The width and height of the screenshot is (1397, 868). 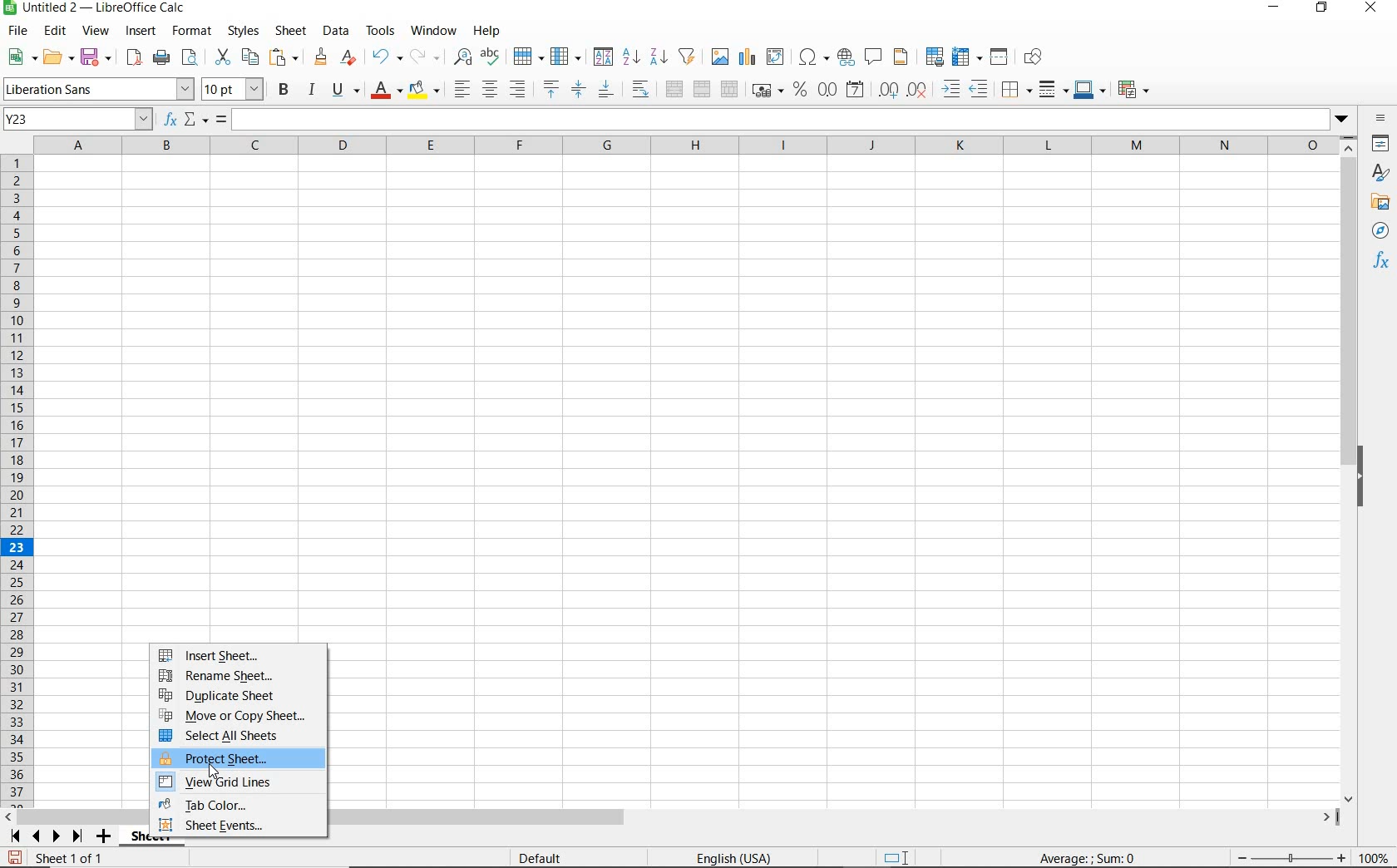 What do you see at coordinates (1088, 89) in the screenshot?
I see `BORDER COLOR` at bounding box center [1088, 89].